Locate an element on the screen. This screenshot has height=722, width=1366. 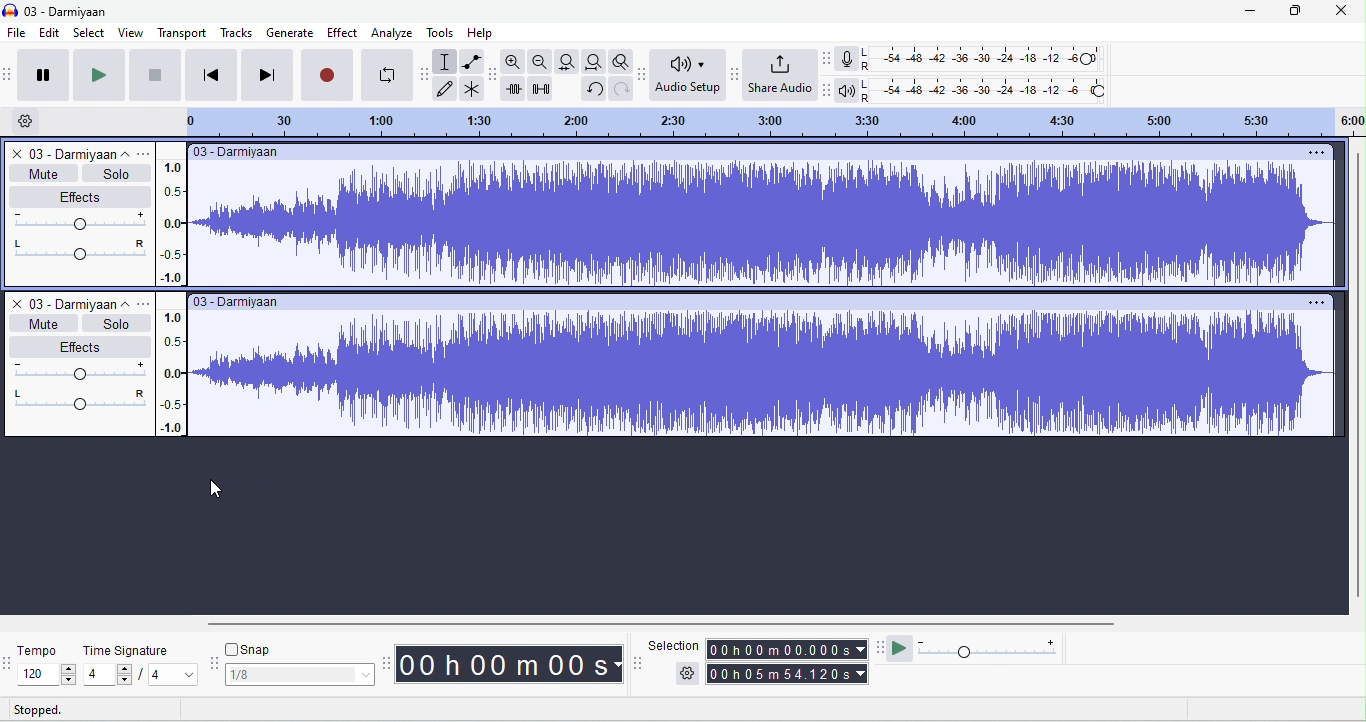
playback speed is located at coordinates (989, 650).